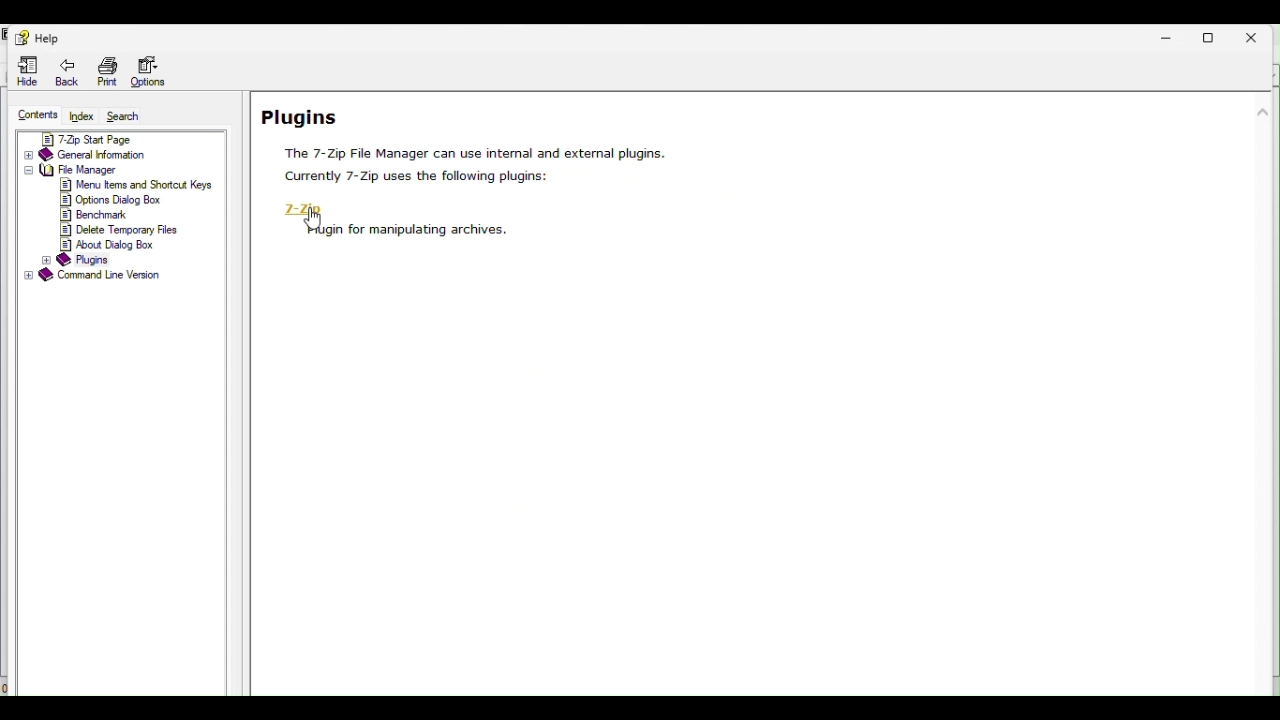  What do you see at coordinates (107, 69) in the screenshot?
I see `Print` at bounding box center [107, 69].